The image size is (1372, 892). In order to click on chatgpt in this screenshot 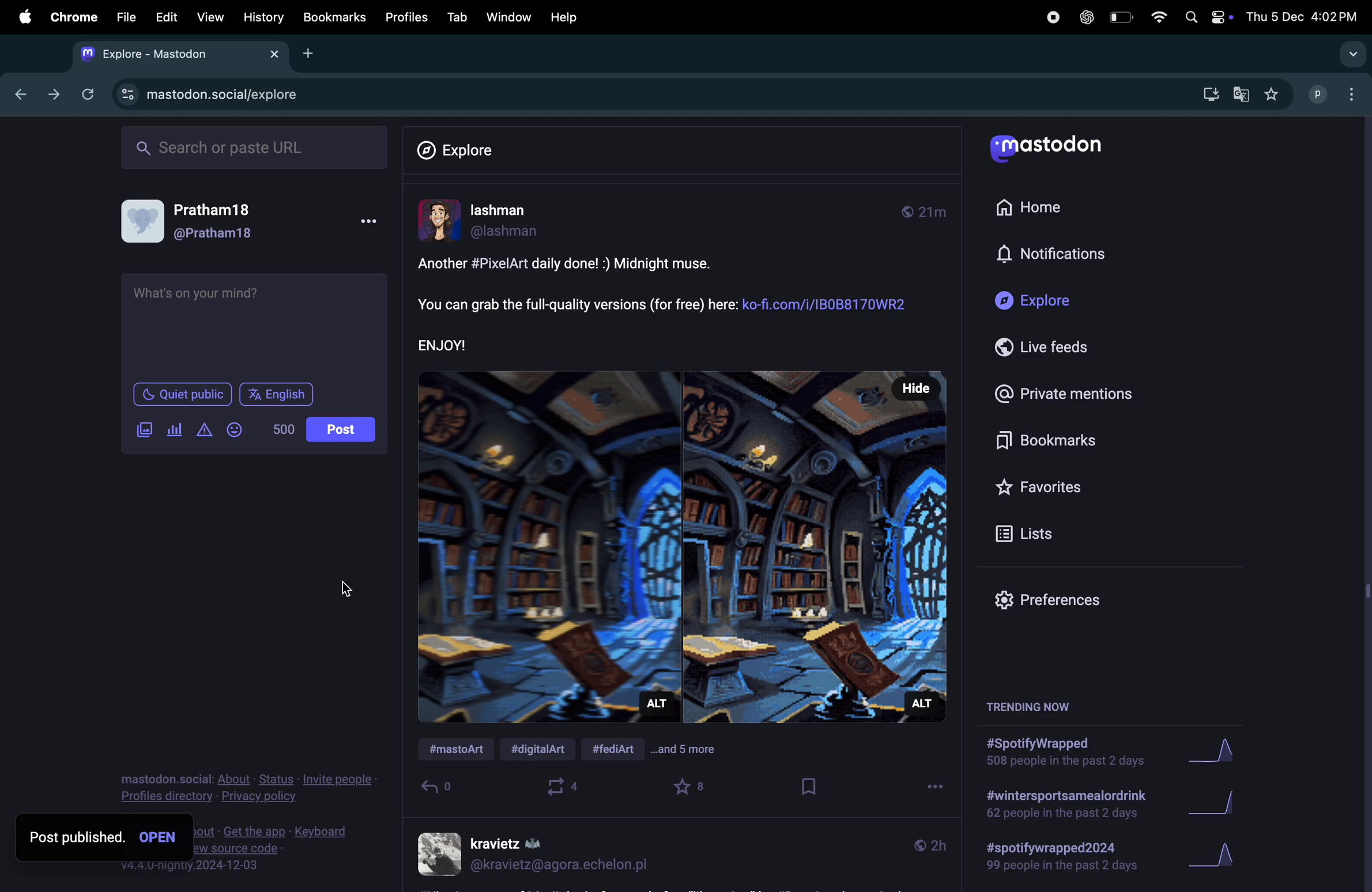, I will do `click(1085, 18)`.